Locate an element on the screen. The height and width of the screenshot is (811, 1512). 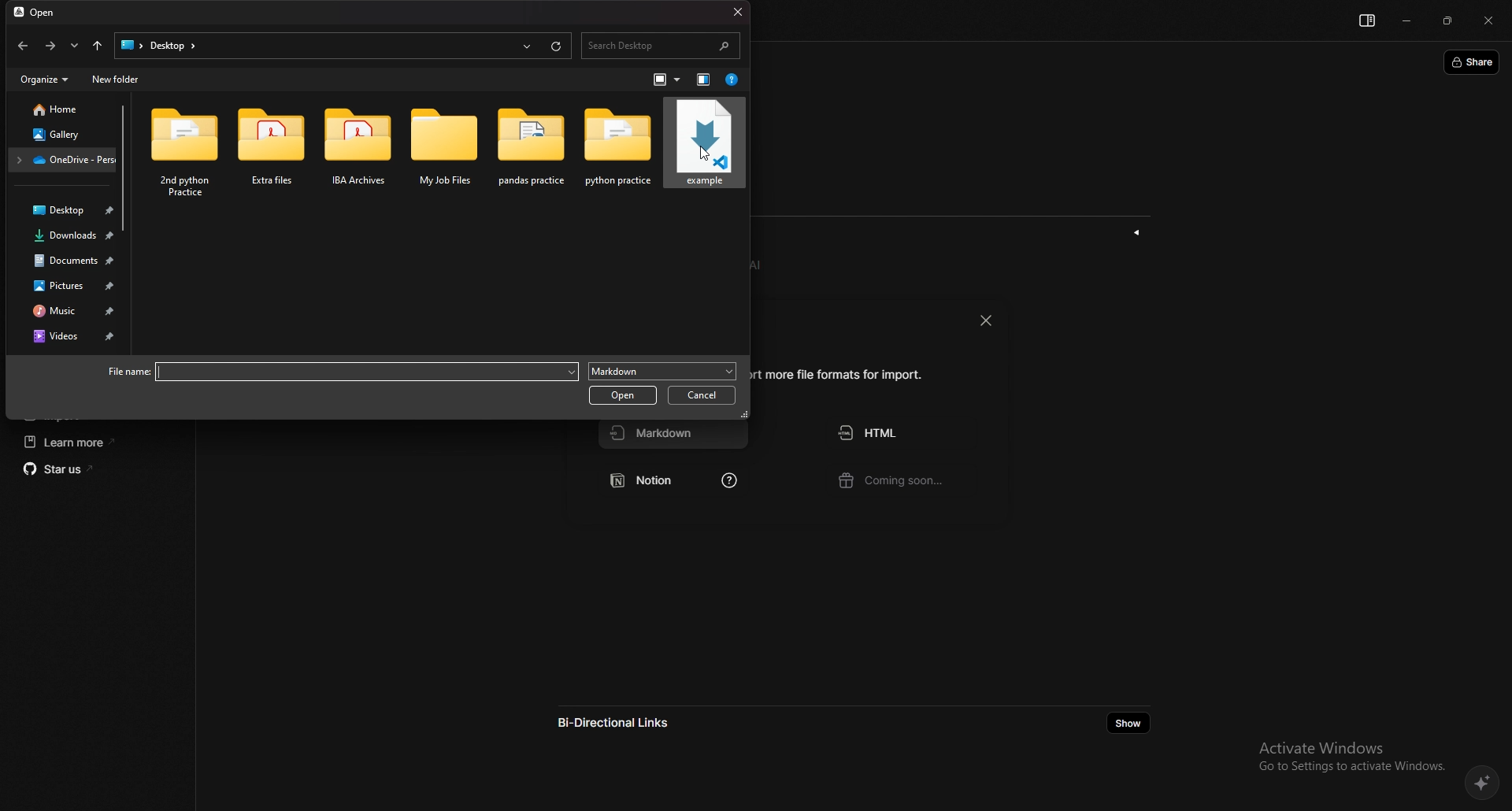
show sidebar is located at coordinates (1366, 21).